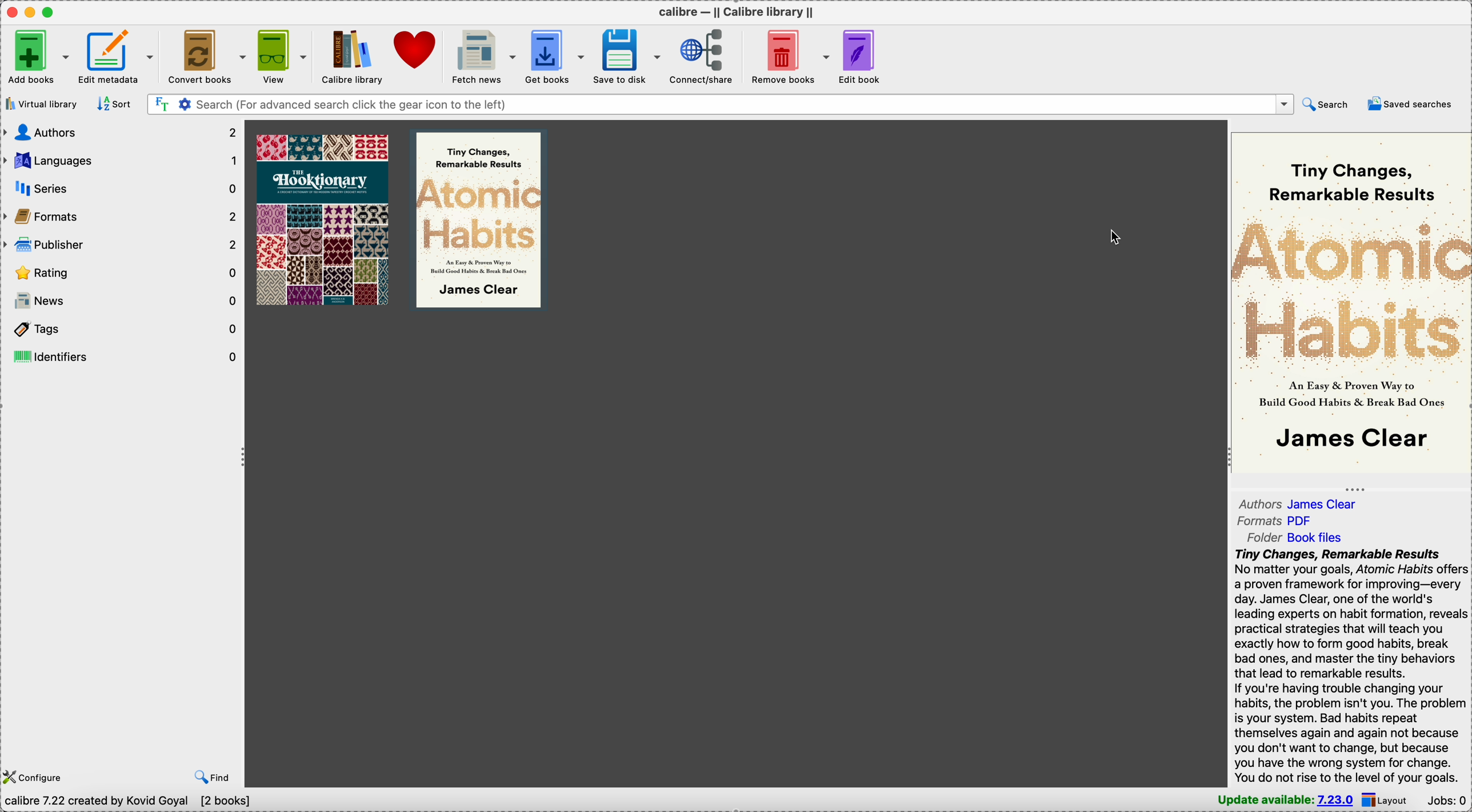 The image size is (1472, 812). I want to click on an easy & proven way to build good habits & break bad ones, so click(1352, 394).